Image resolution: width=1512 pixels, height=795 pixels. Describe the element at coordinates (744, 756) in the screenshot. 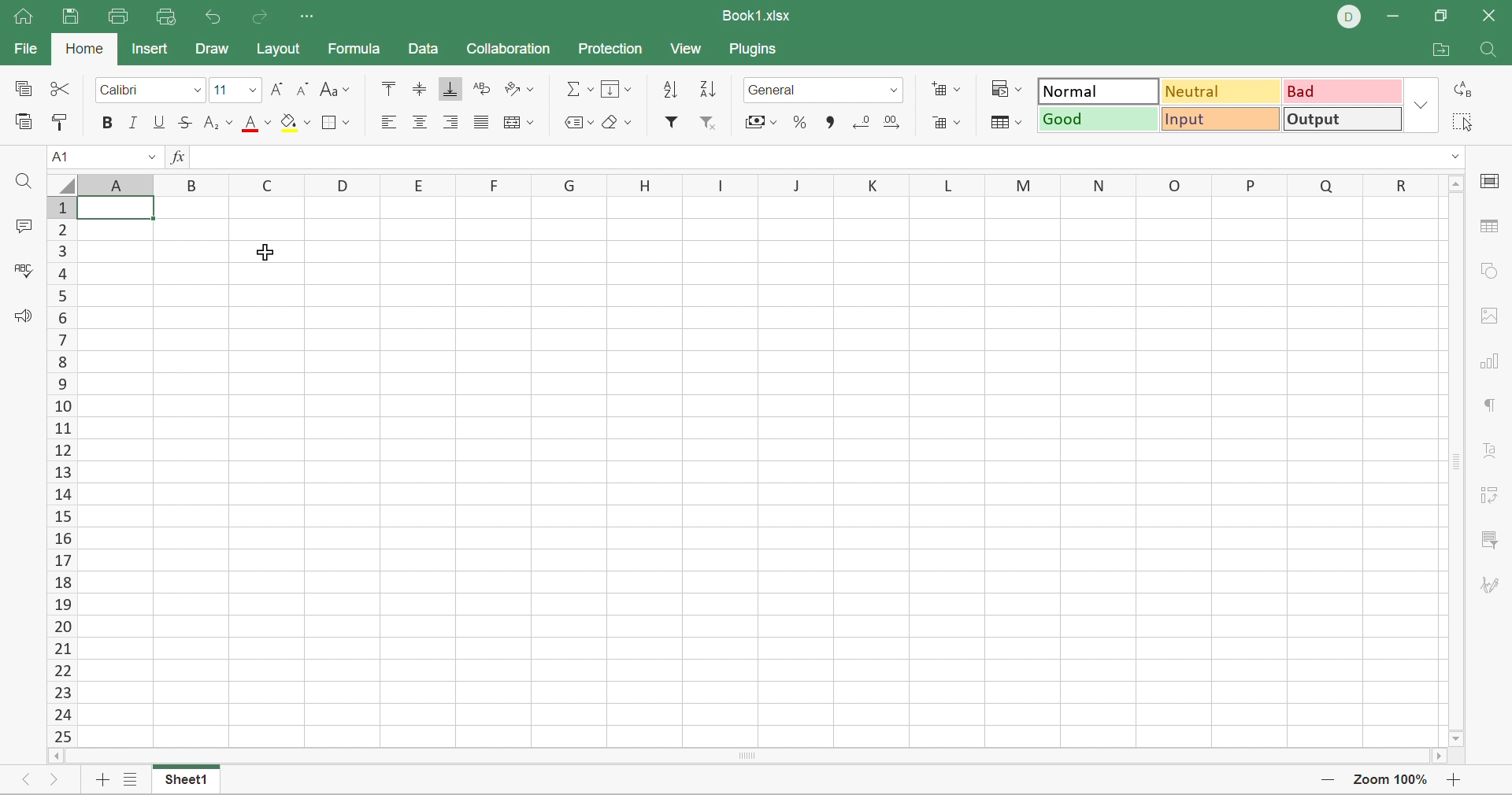

I see `Scroll Bar` at that location.